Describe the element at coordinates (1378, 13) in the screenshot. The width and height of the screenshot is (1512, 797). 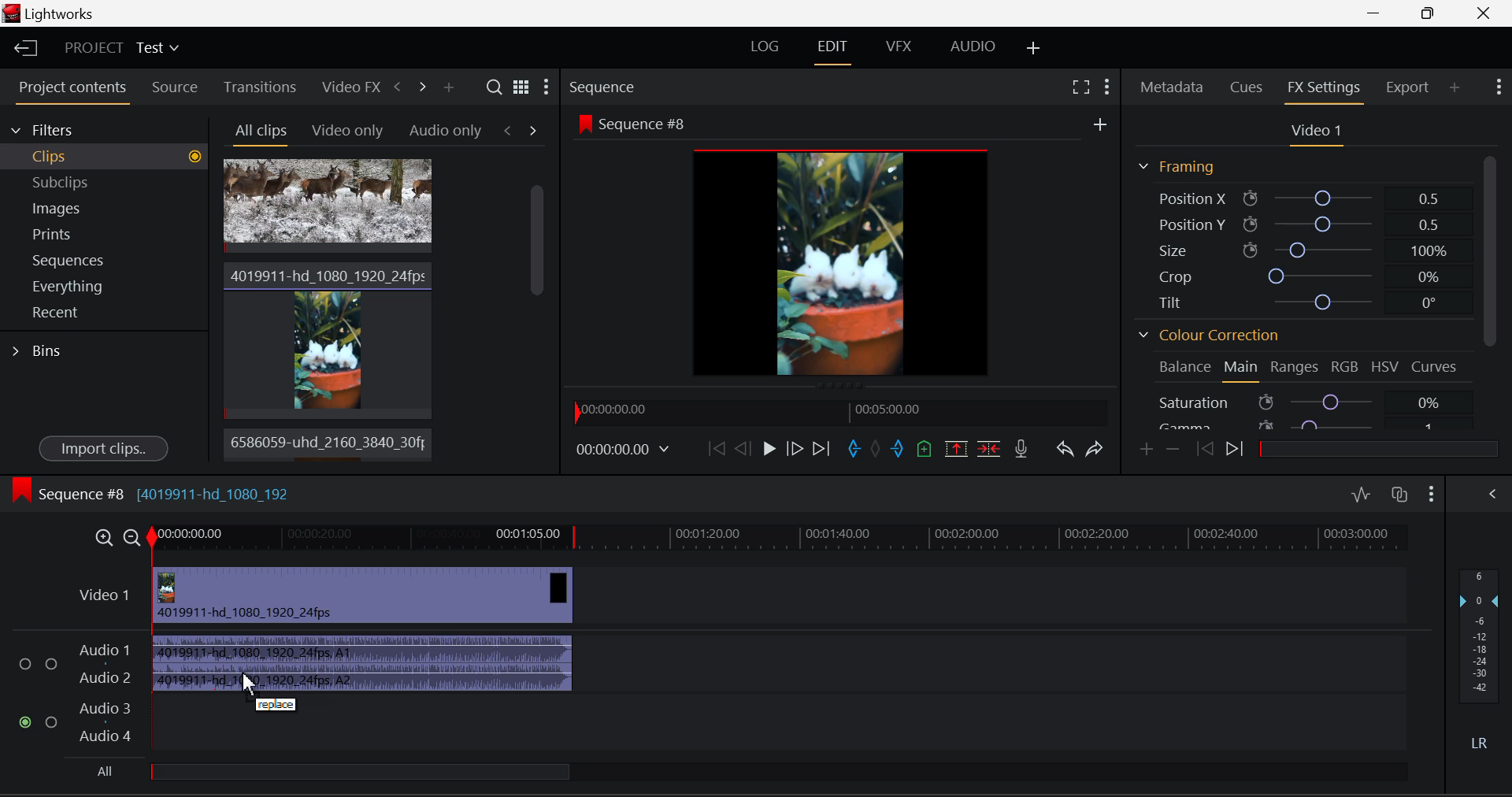
I see `Restore Down` at that location.